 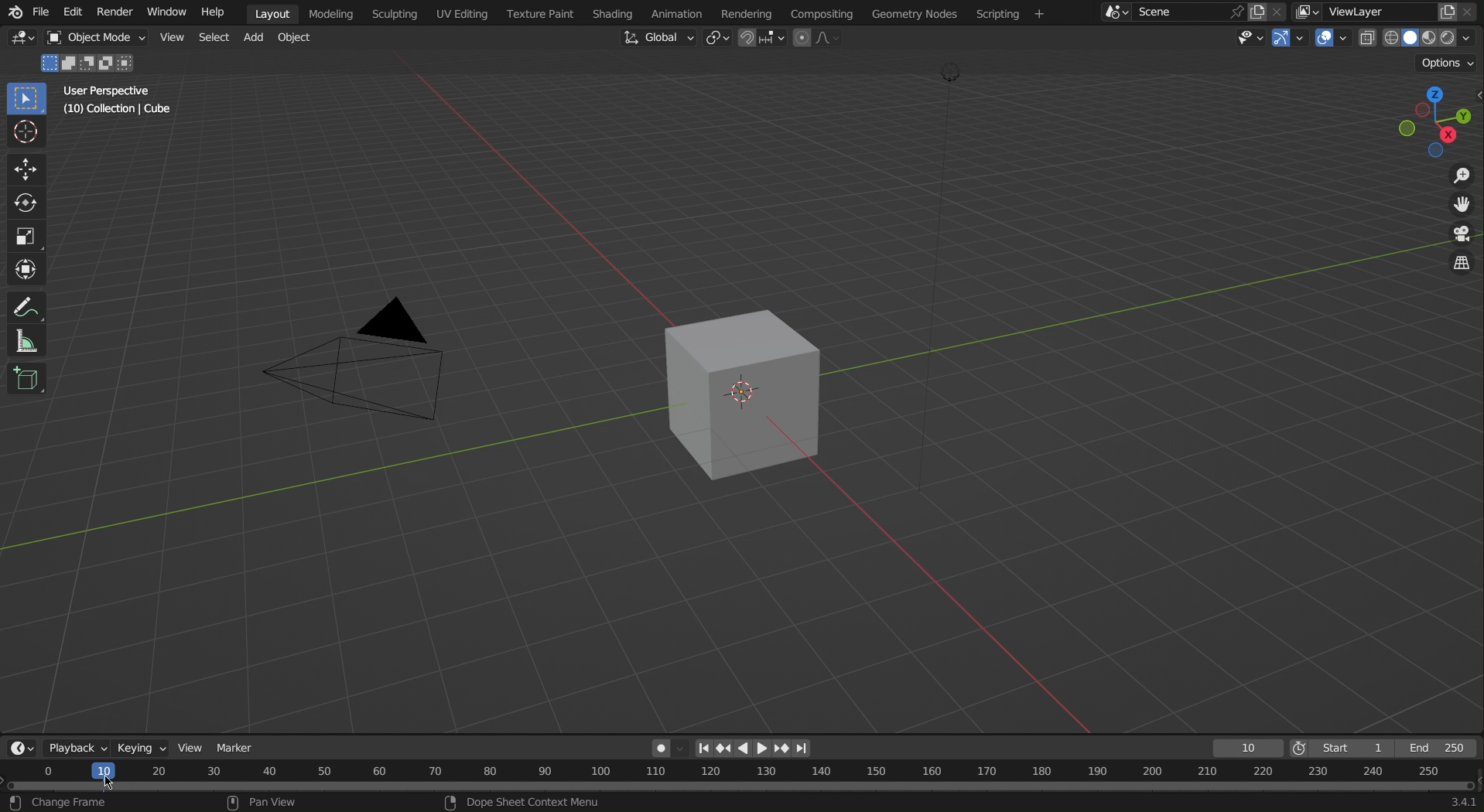 I want to click on Modeling, so click(x=334, y=12).